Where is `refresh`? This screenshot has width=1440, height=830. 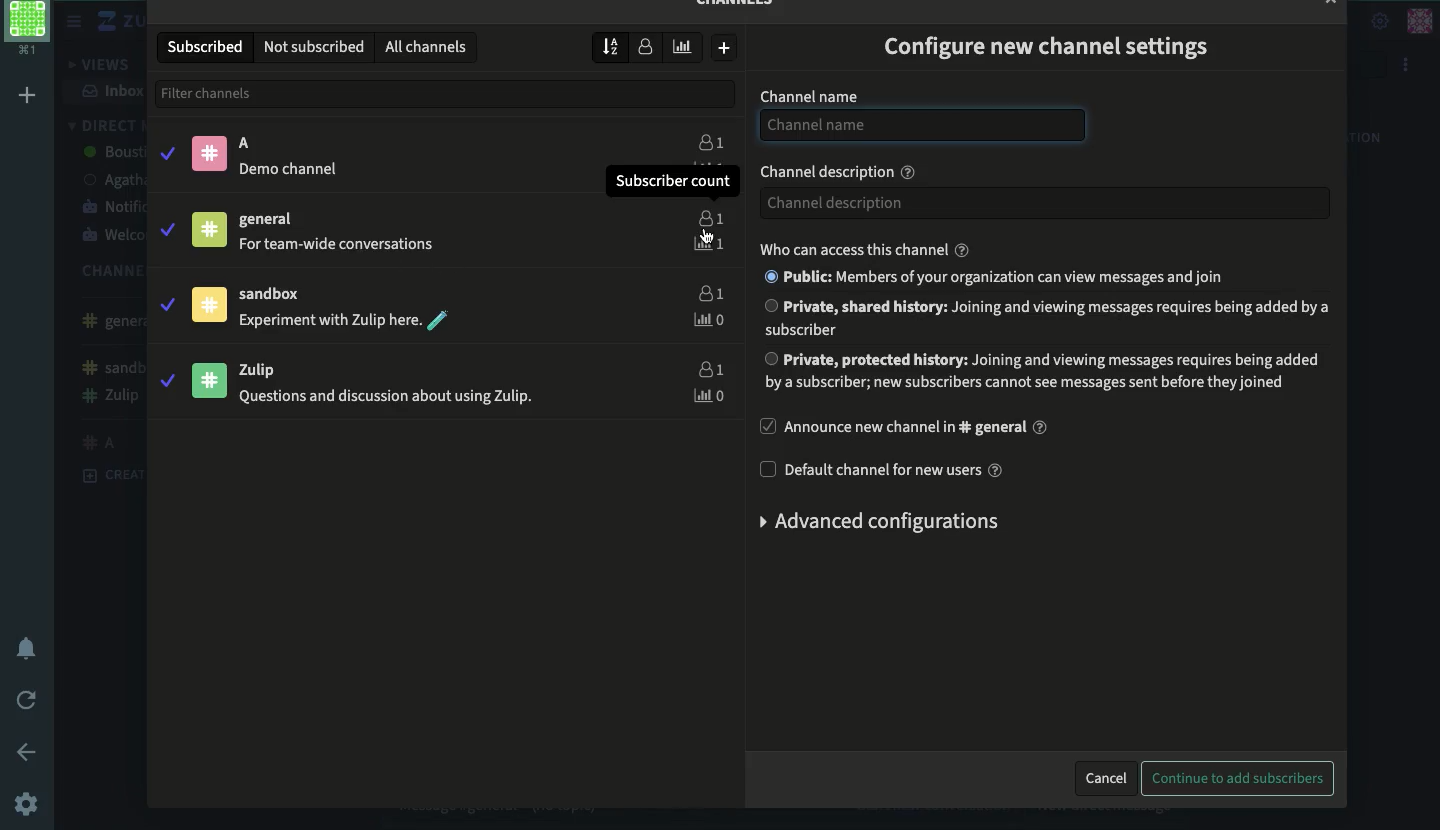
refresh is located at coordinates (29, 697).